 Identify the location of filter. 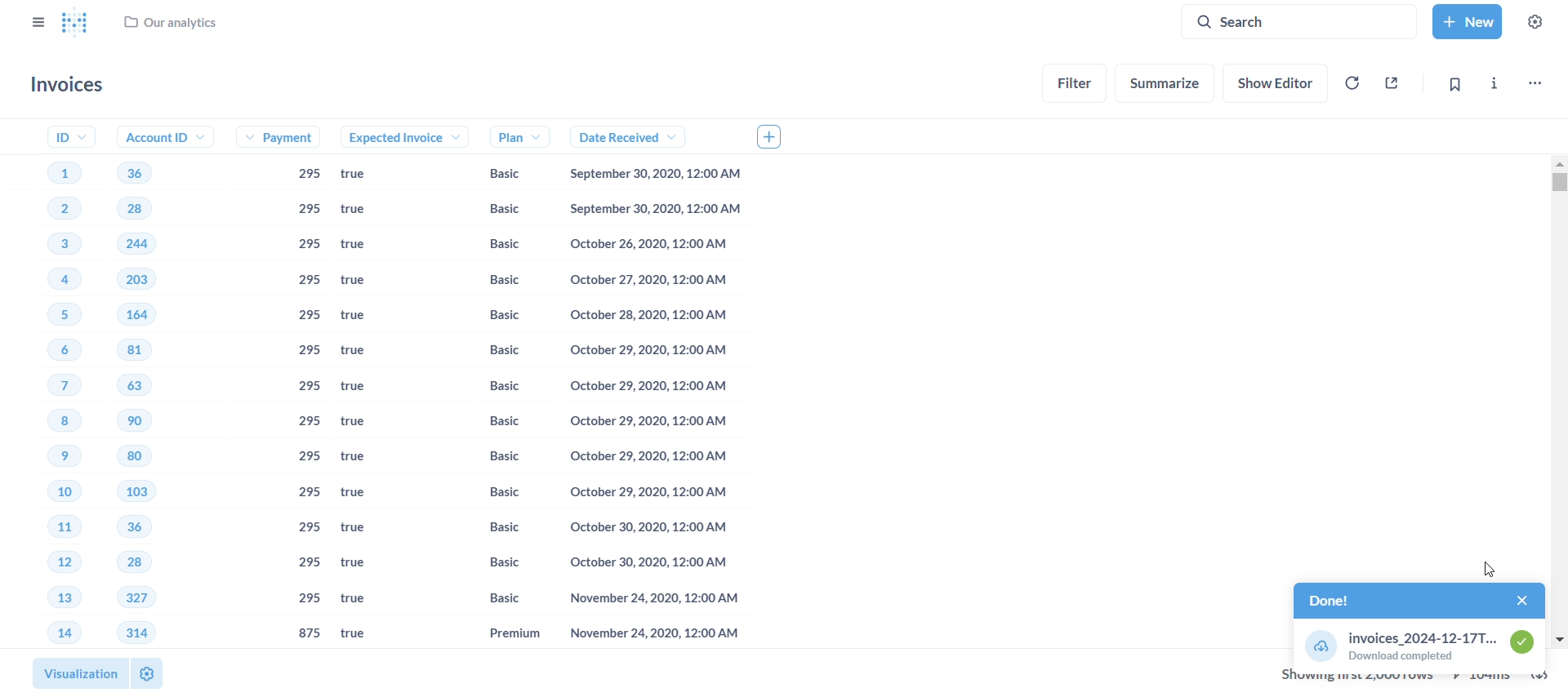
(1076, 82).